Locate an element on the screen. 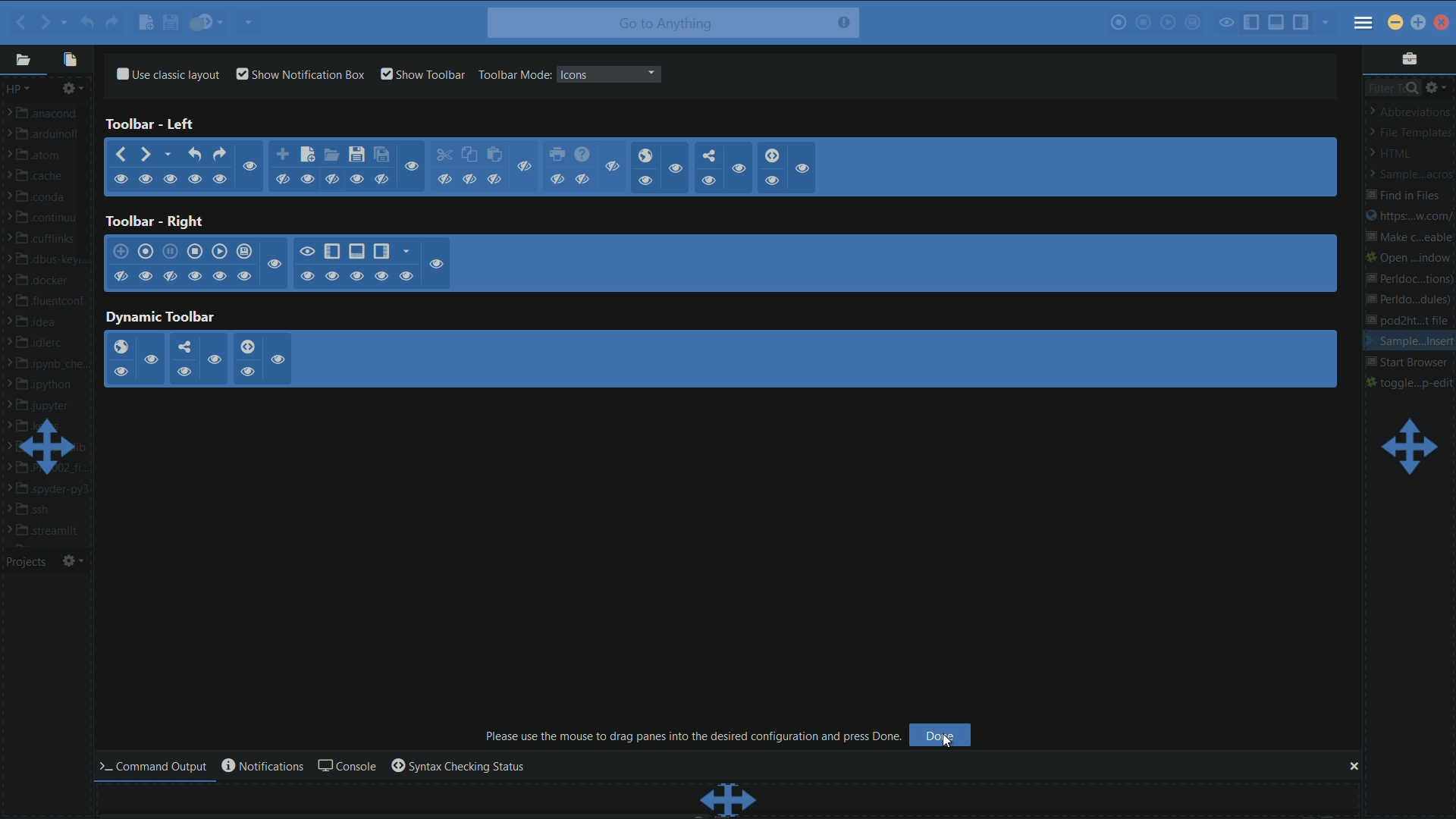  notifications is located at coordinates (261, 766).